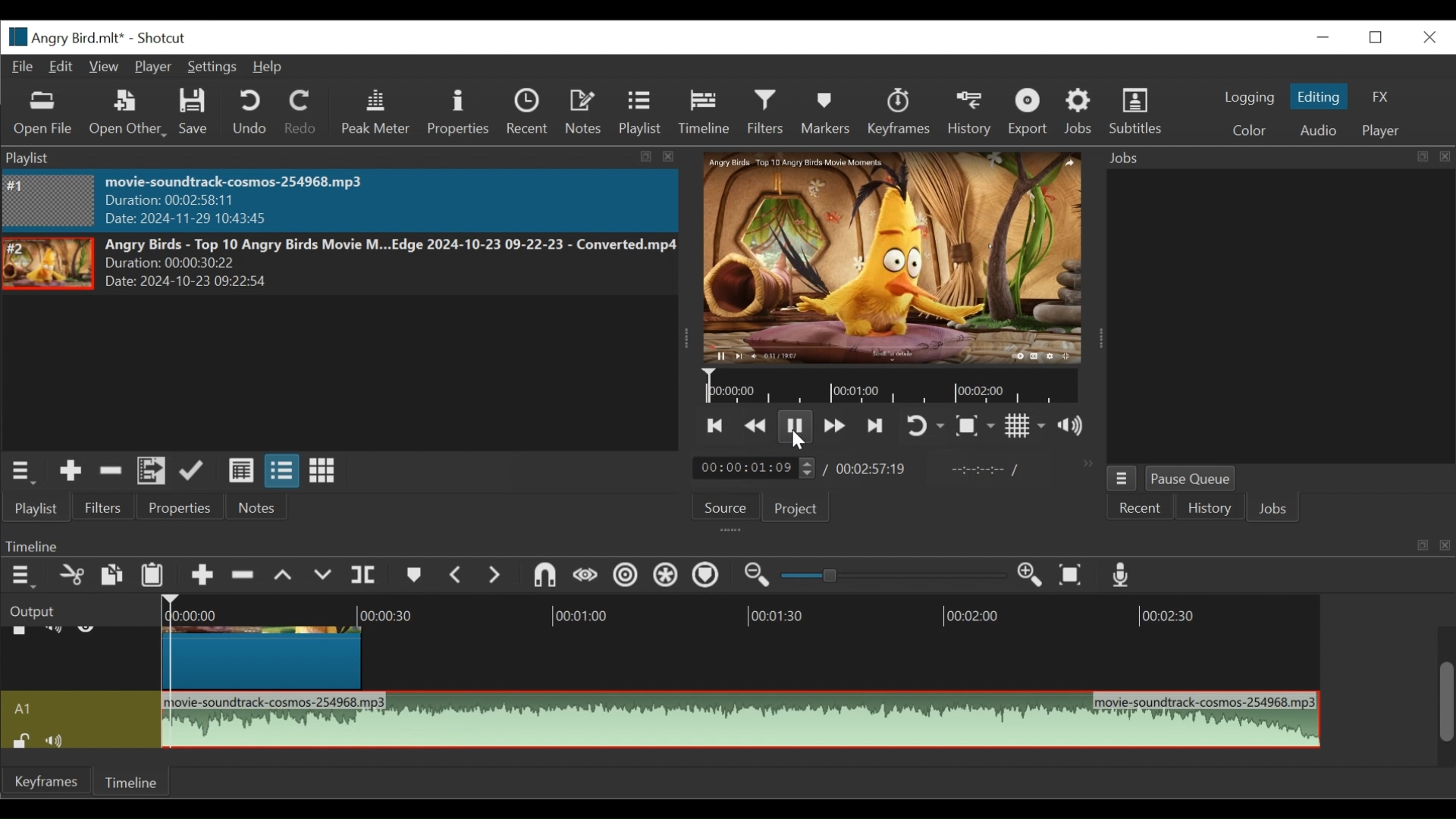 Image resolution: width=1456 pixels, height=819 pixels. What do you see at coordinates (794, 508) in the screenshot?
I see `Project` at bounding box center [794, 508].